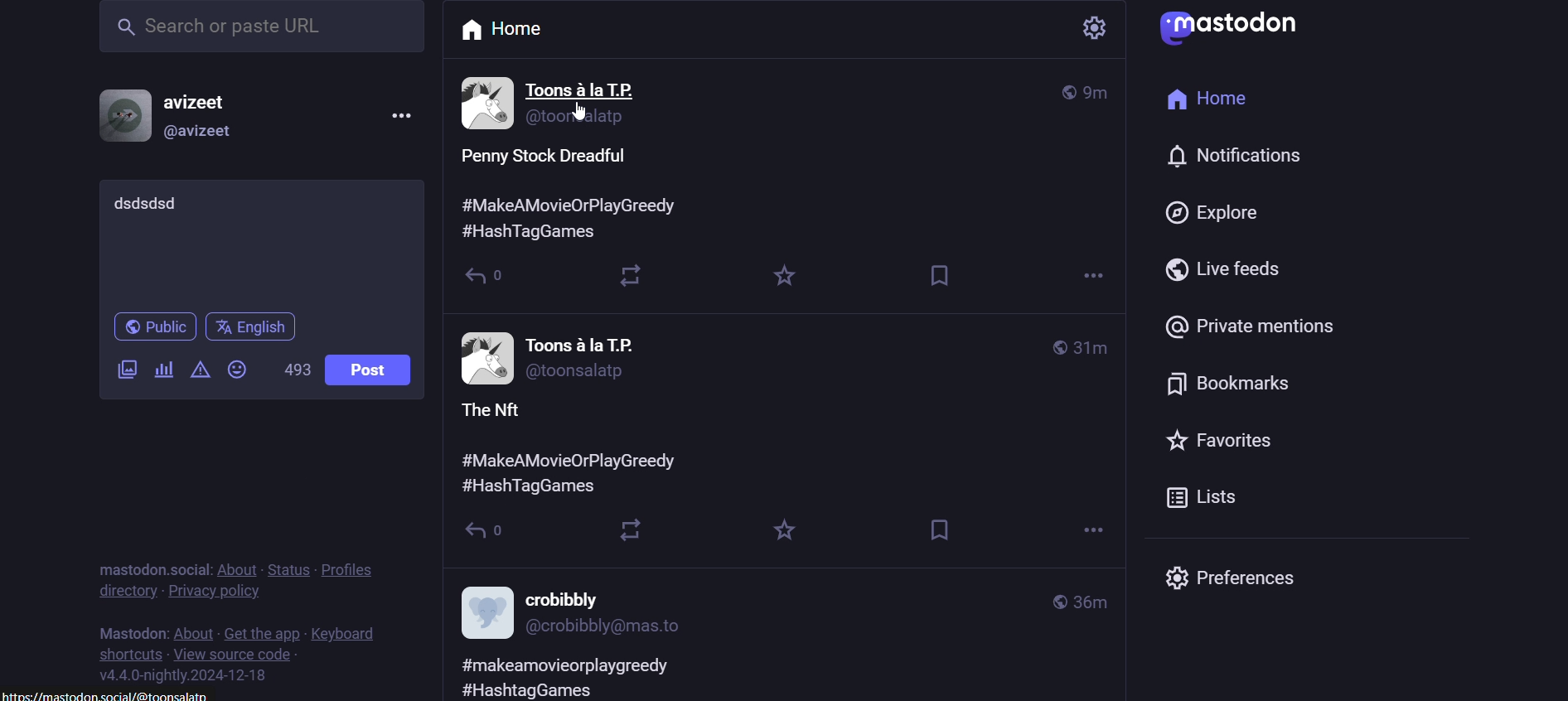  What do you see at coordinates (482, 359) in the screenshot?
I see `other post` at bounding box center [482, 359].